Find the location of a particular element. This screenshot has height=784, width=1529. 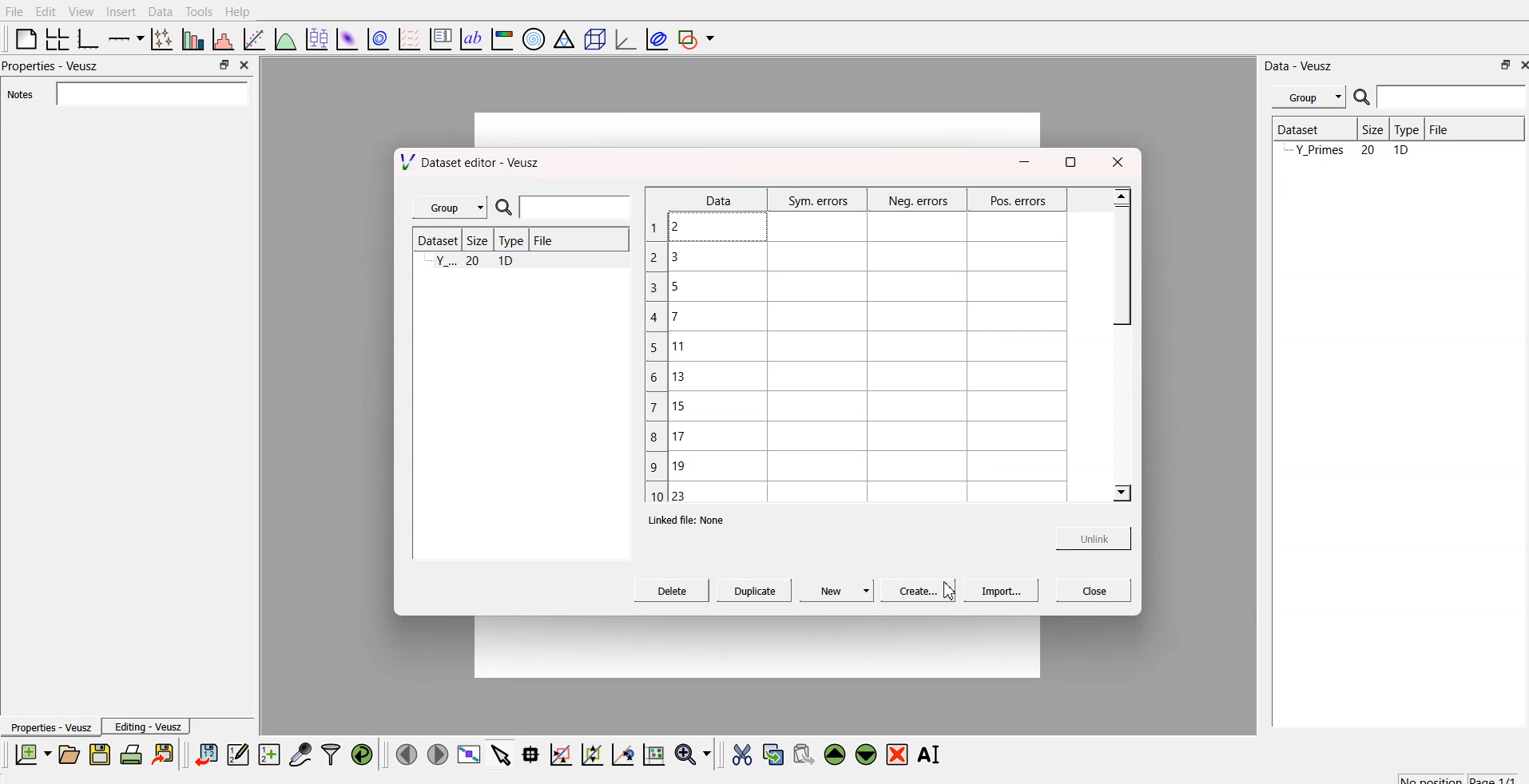

open a document is located at coordinates (68, 754).